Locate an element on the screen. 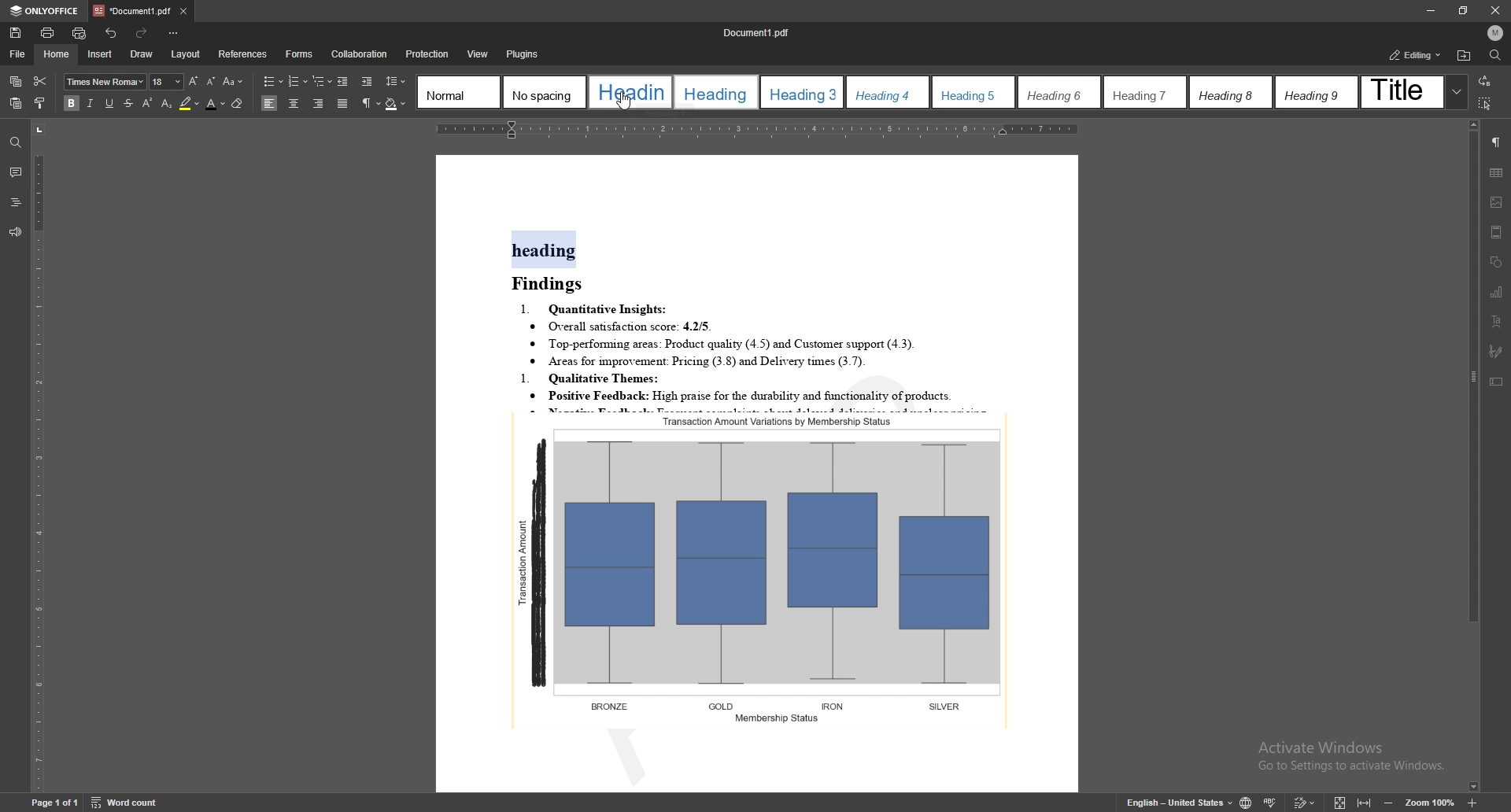 Image resolution: width=1511 pixels, height=812 pixels. decrease font size is located at coordinates (210, 81).